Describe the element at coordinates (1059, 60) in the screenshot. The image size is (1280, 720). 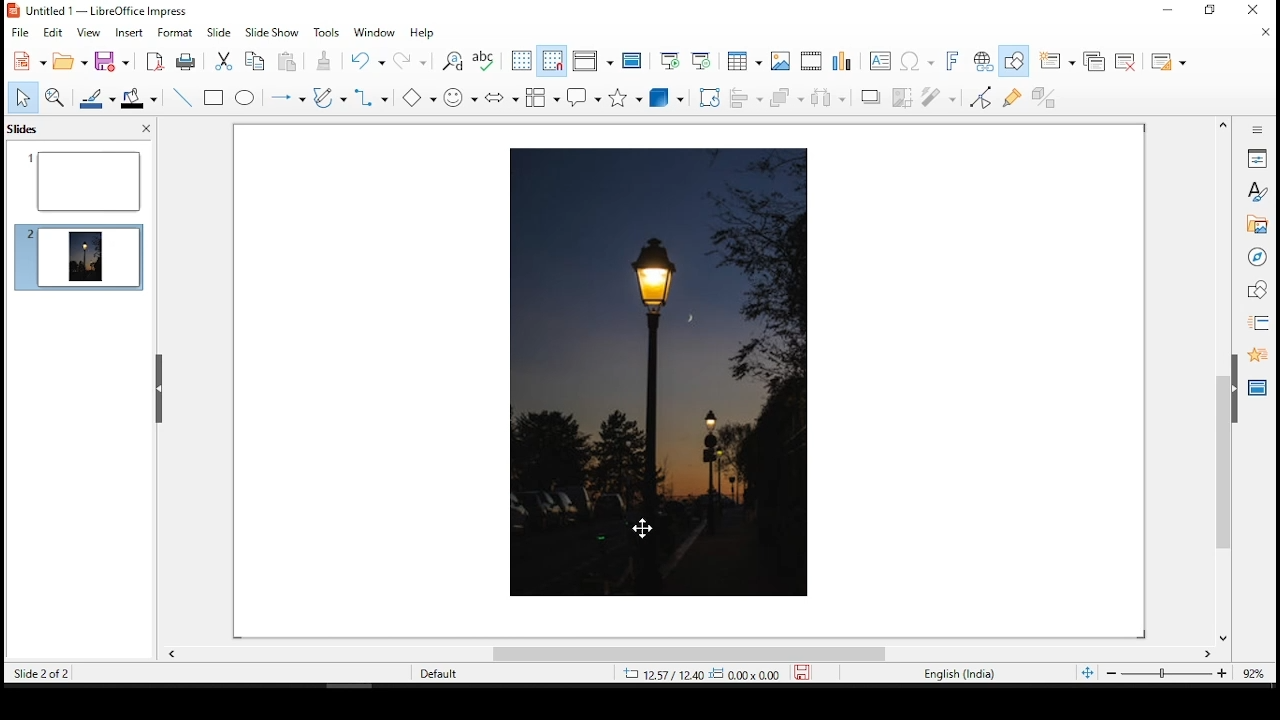
I see `new slide` at that location.